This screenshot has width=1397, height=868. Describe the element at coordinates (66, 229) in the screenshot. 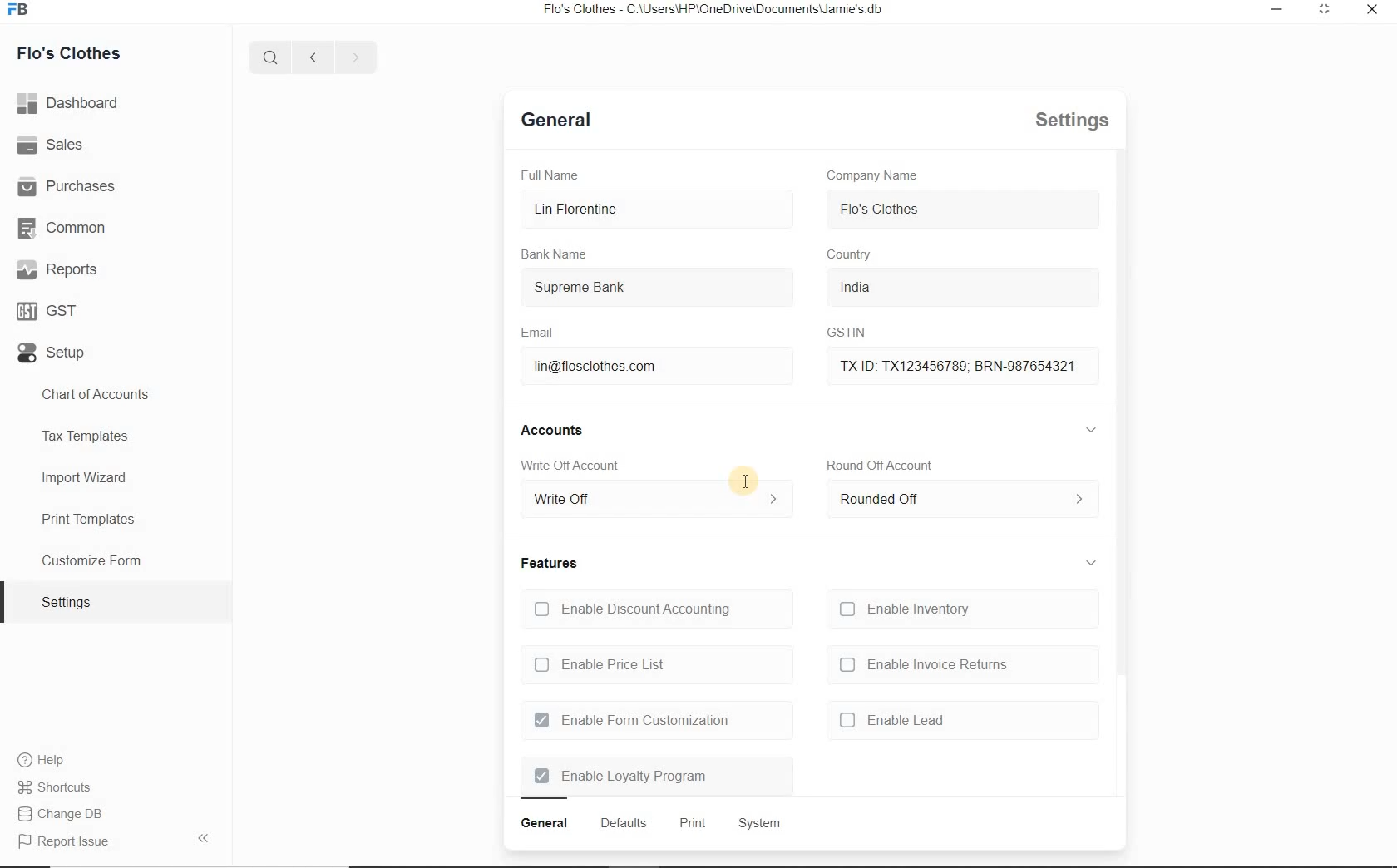

I see `Common` at that location.